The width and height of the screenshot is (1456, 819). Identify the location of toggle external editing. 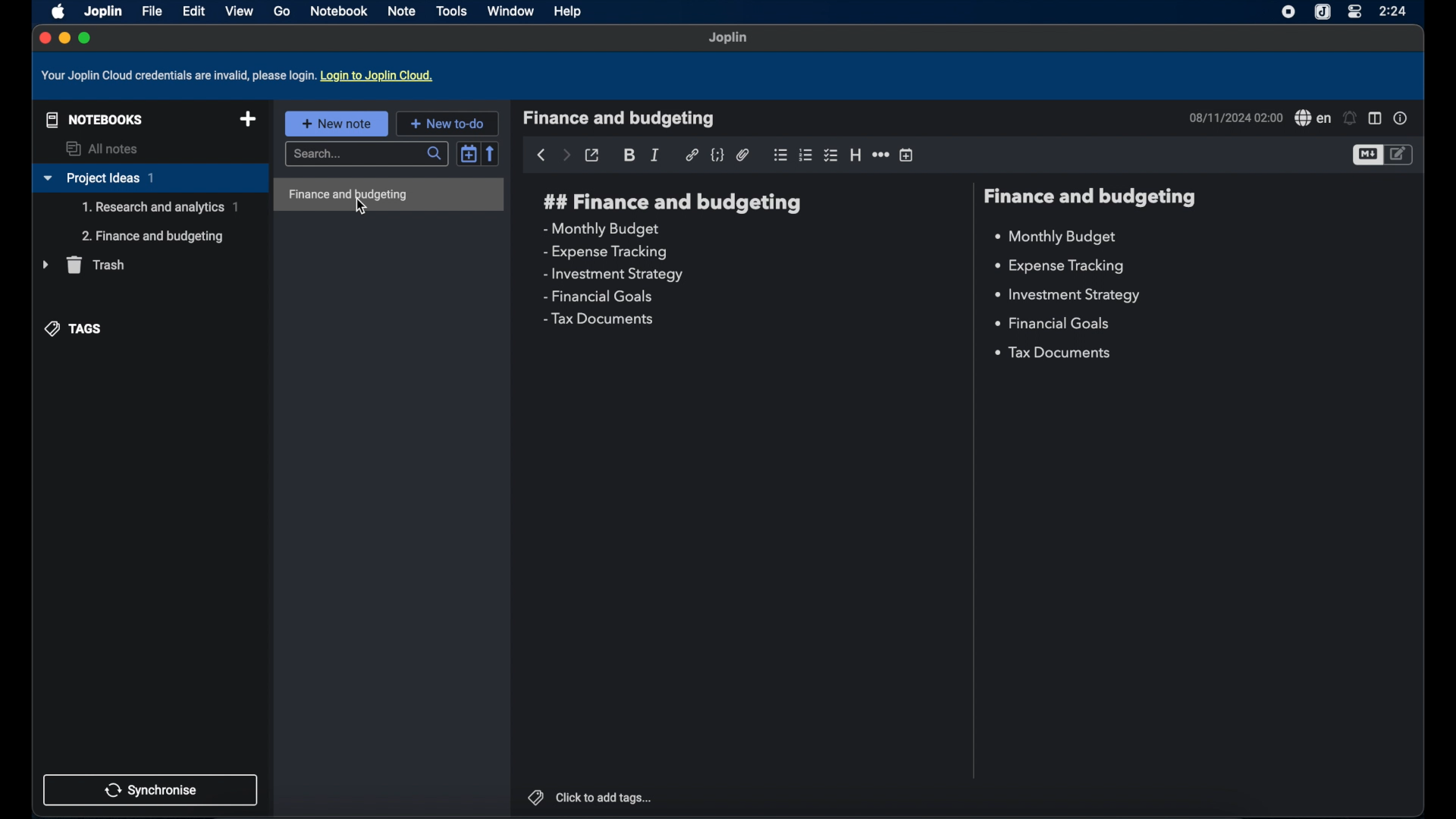
(593, 155).